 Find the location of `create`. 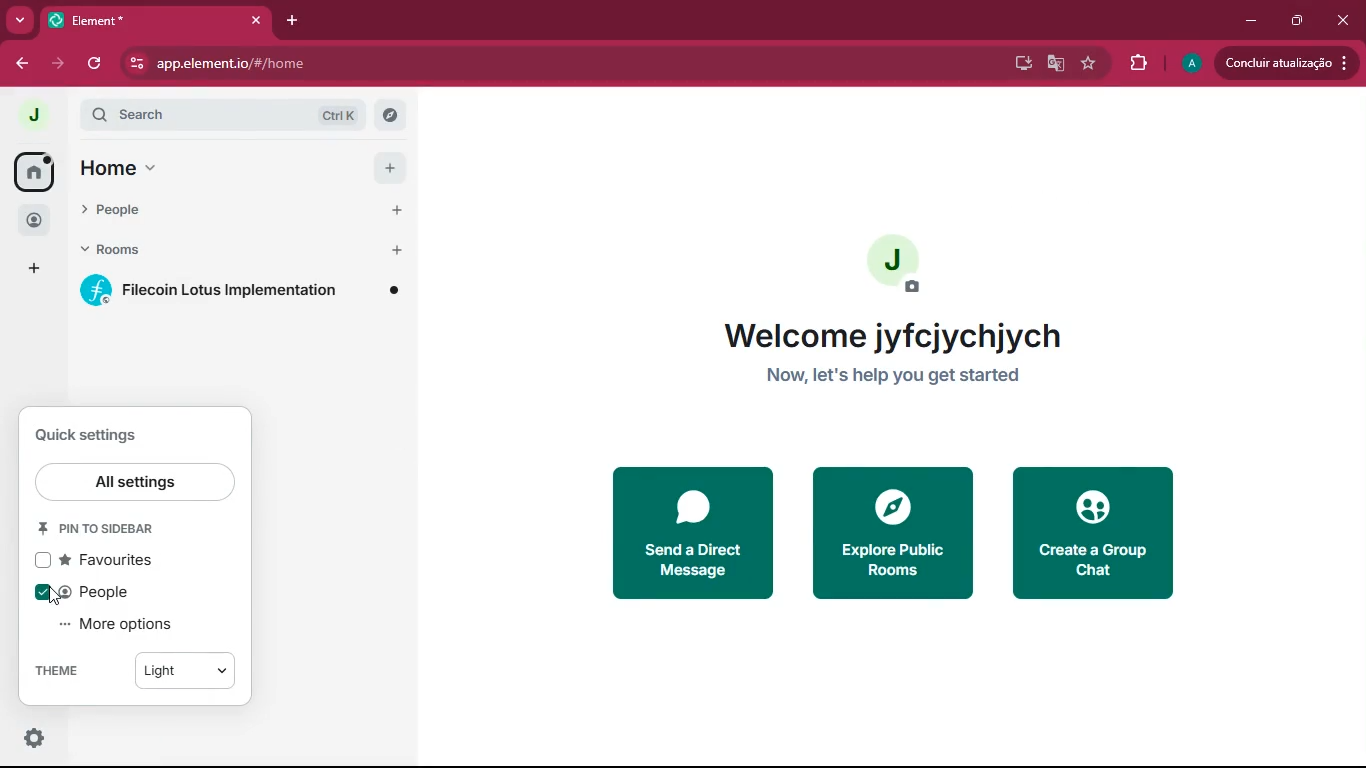

create is located at coordinates (1095, 534).